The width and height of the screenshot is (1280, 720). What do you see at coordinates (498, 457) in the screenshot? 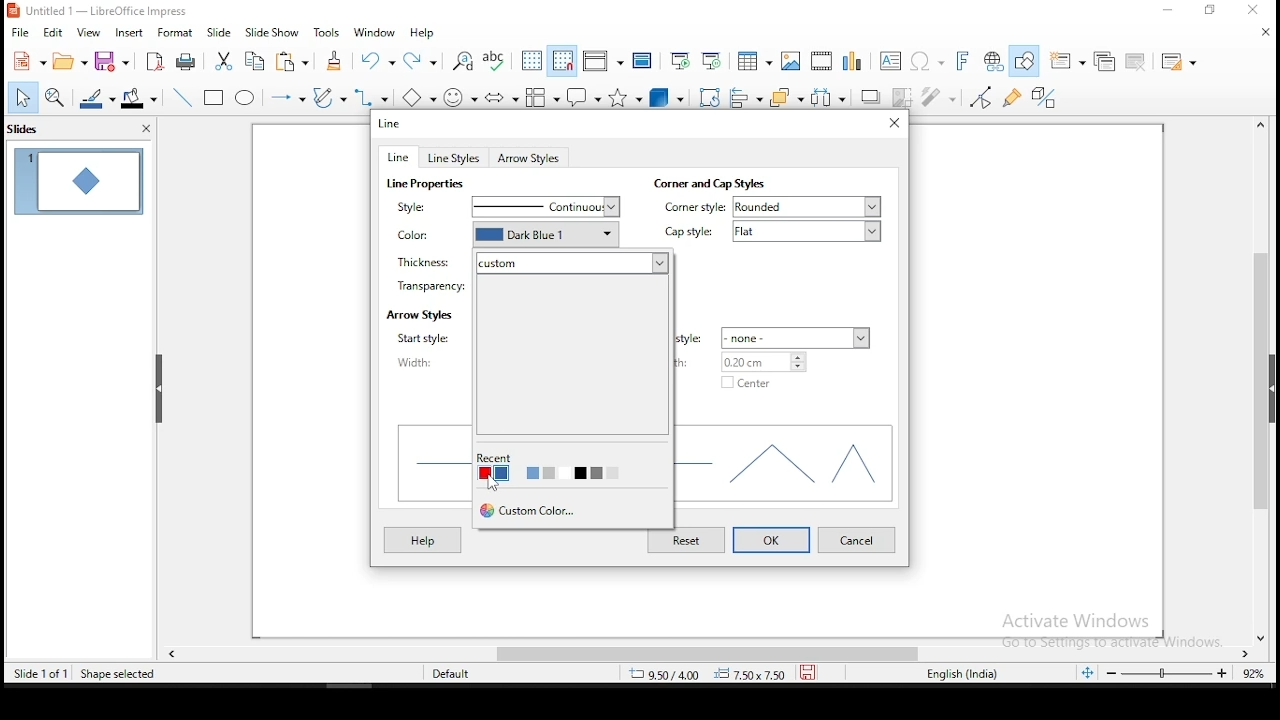
I see `recent colors` at bounding box center [498, 457].